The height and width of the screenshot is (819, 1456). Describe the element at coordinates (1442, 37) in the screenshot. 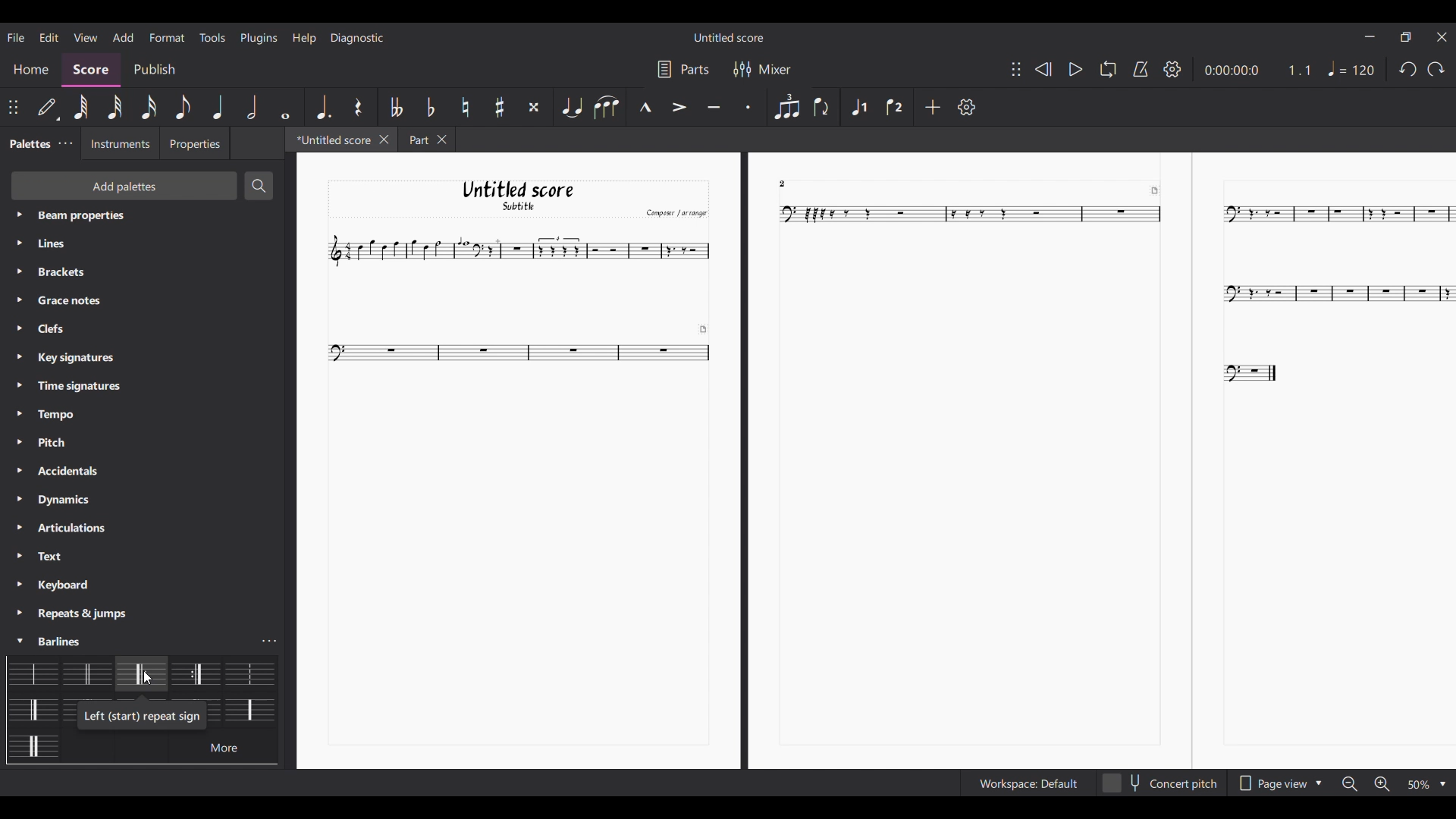

I see `Close interface` at that location.